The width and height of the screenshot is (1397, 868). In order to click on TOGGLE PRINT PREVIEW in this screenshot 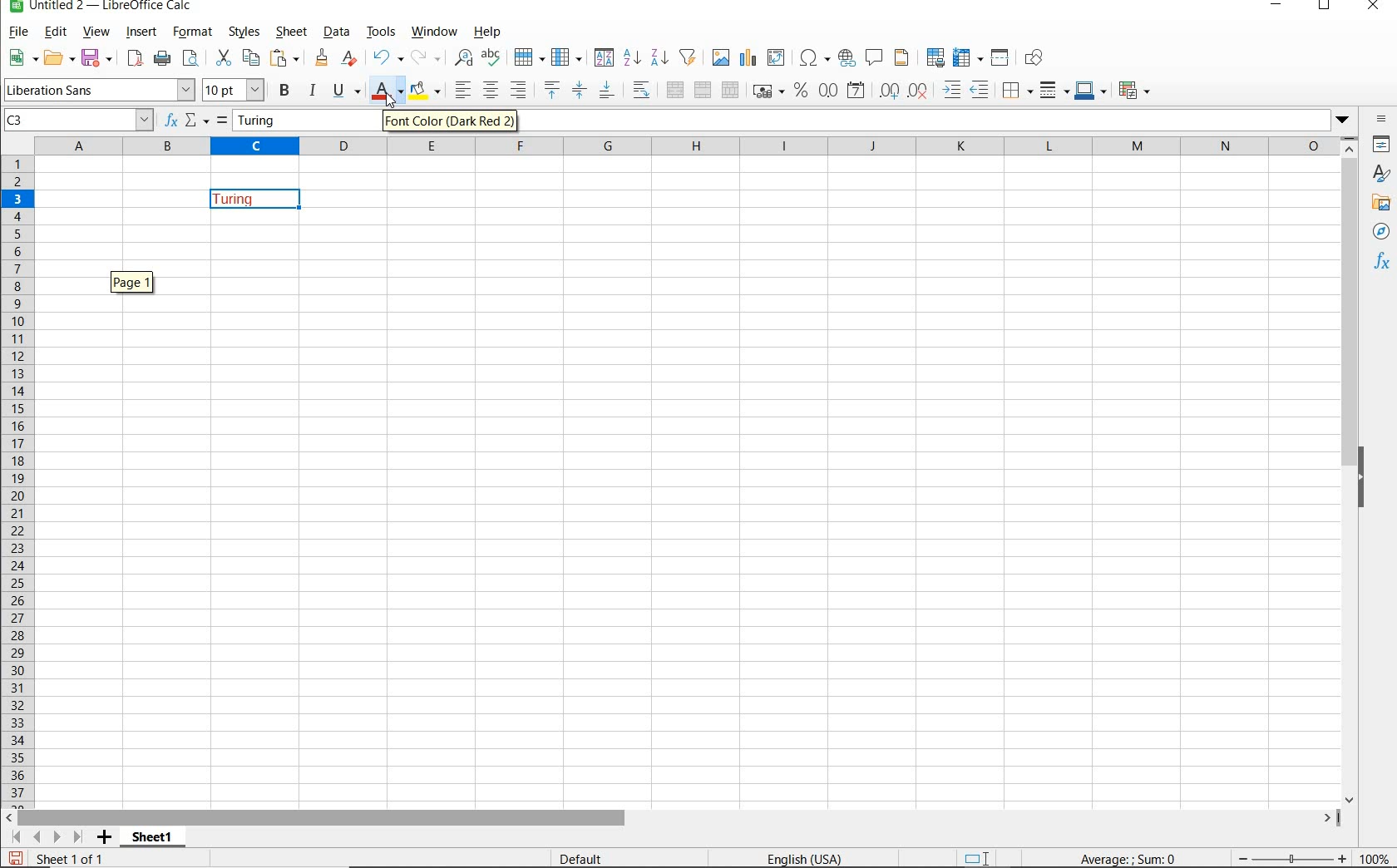, I will do `click(190, 57)`.